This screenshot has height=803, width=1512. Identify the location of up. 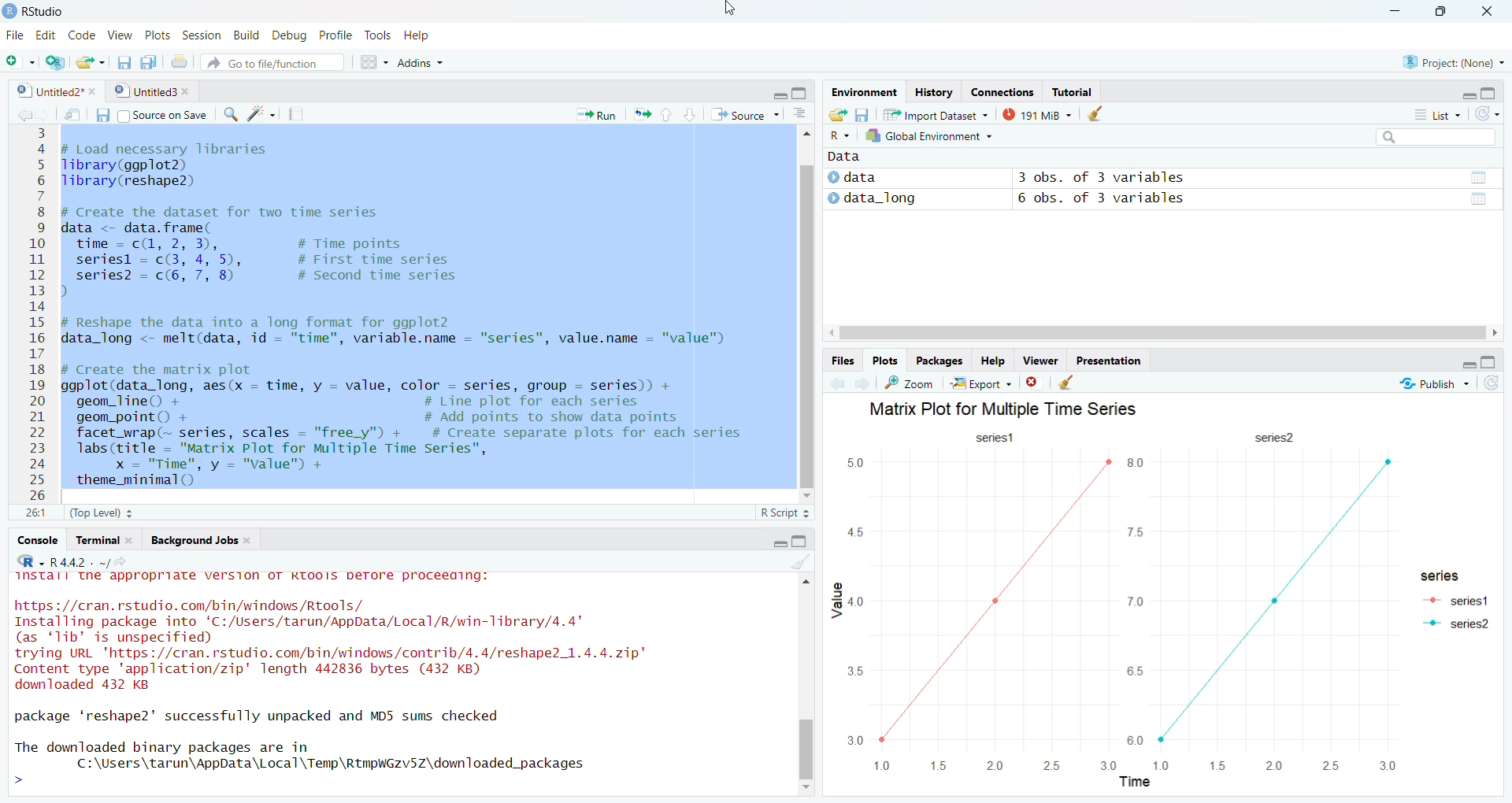
(665, 114).